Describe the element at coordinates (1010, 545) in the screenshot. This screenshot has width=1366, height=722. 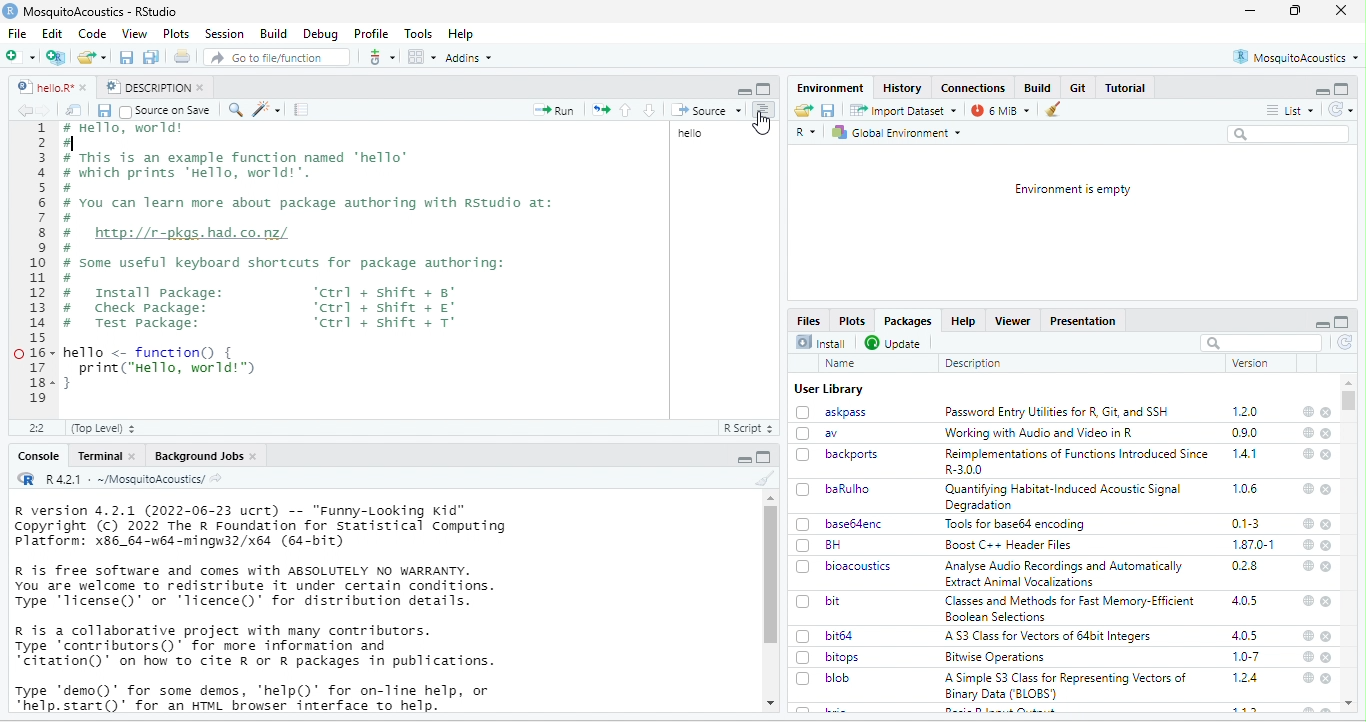
I see `Boost C++ Header Files` at that location.